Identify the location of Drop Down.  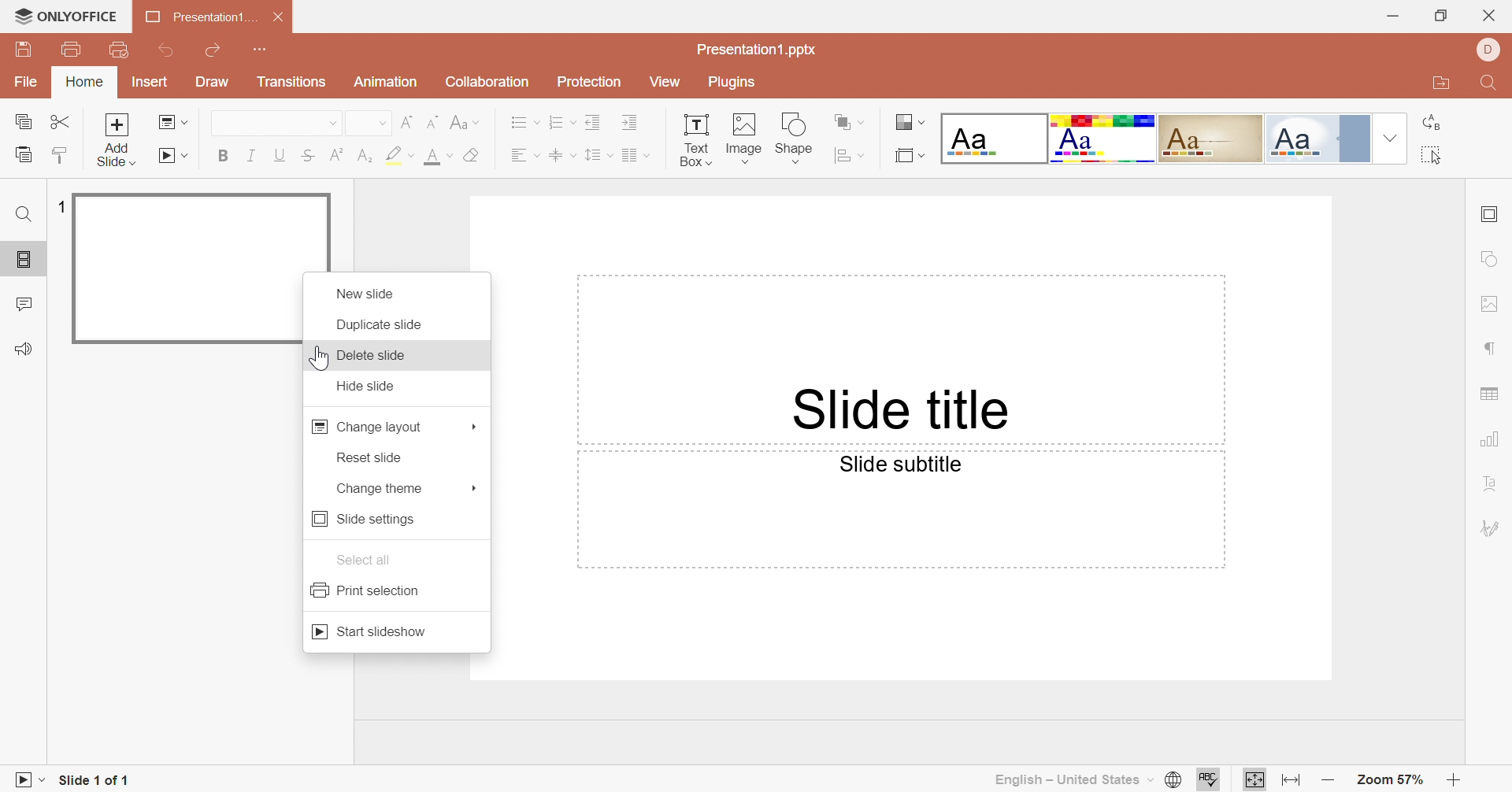
(1151, 777).